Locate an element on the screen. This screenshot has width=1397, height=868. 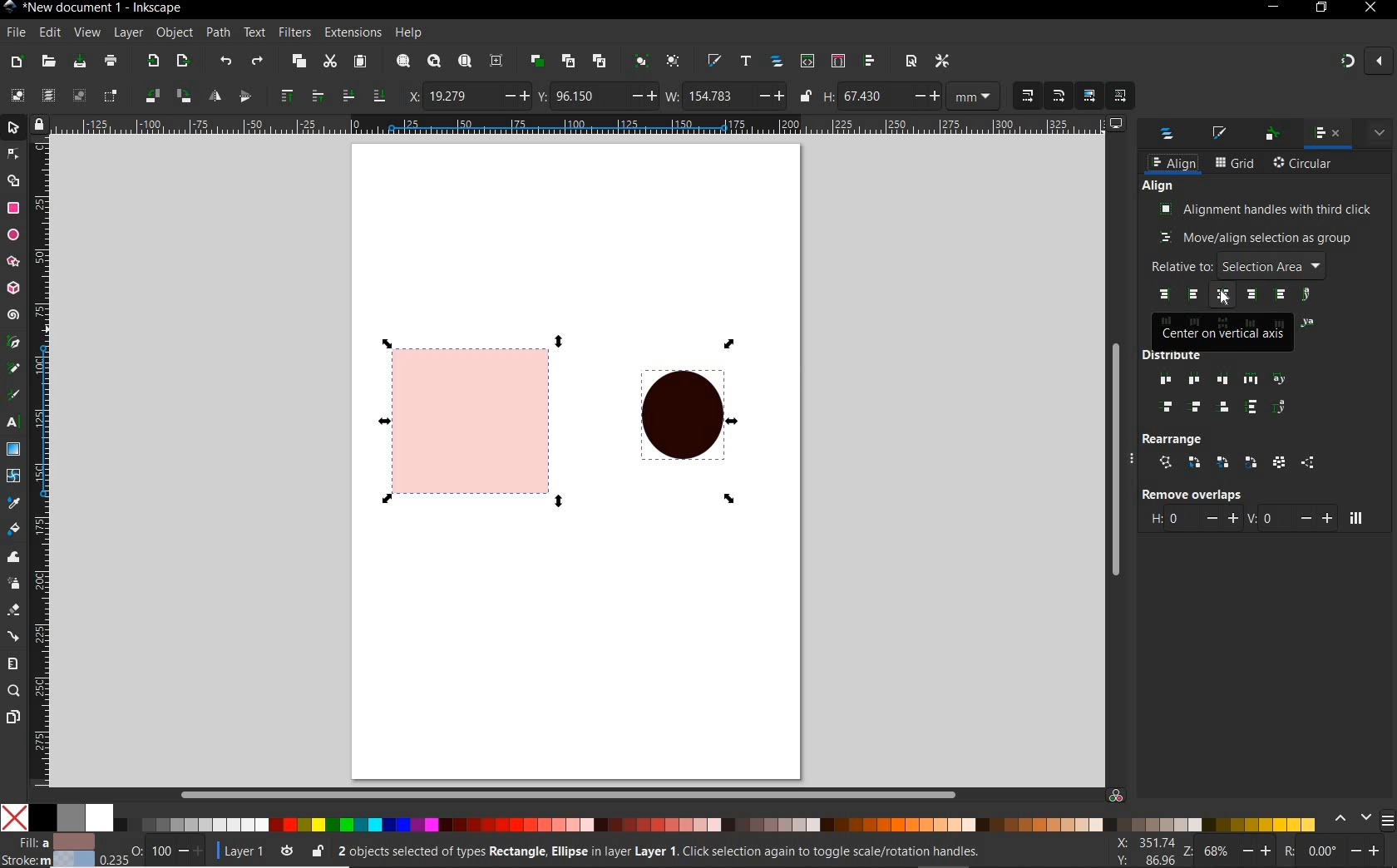
select tool is located at coordinates (14, 126).